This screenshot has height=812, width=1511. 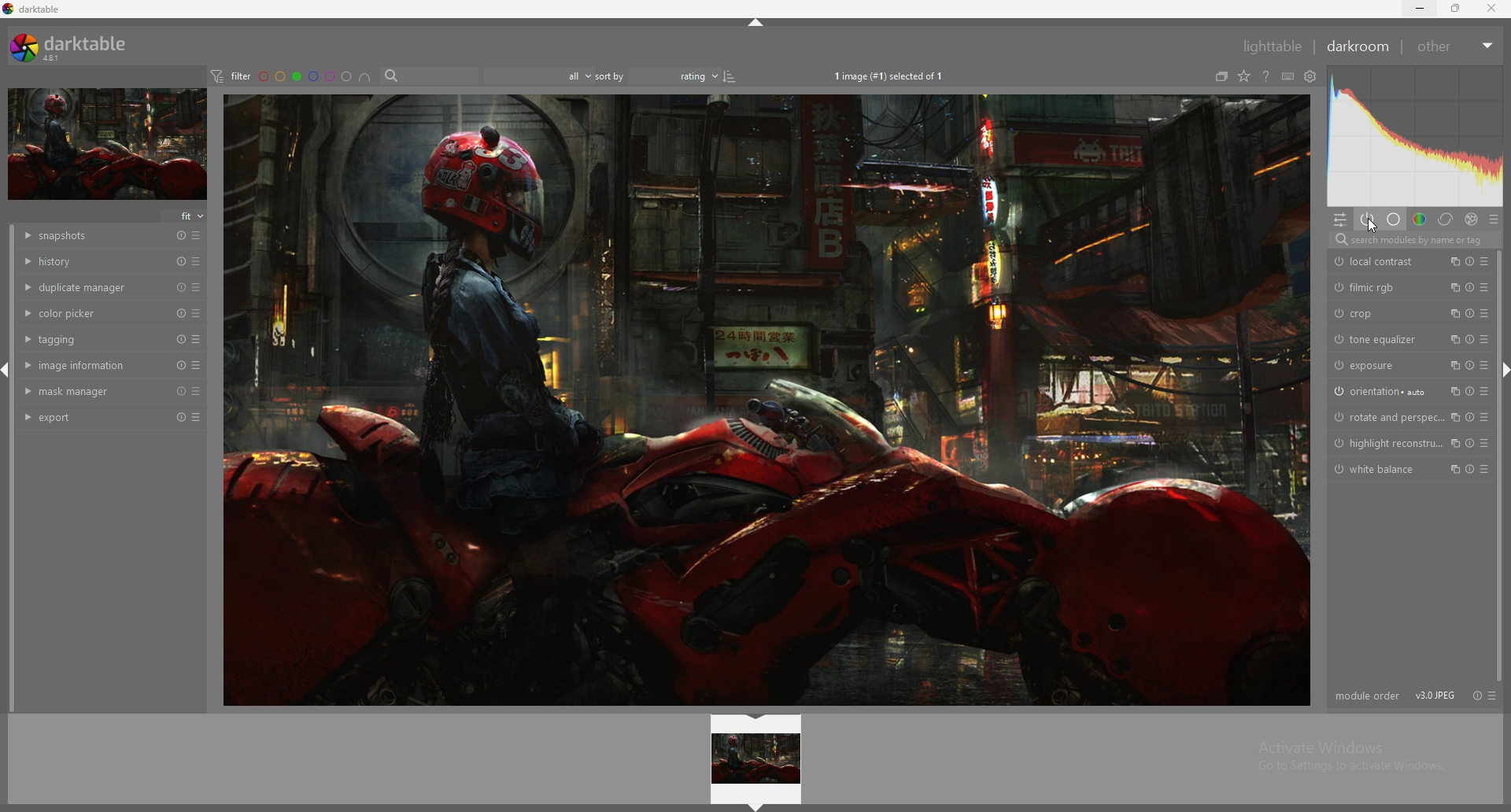 What do you see at coordinates (182, 366) in the screenshot?
I see `reset` at bounding box center [182, 366].